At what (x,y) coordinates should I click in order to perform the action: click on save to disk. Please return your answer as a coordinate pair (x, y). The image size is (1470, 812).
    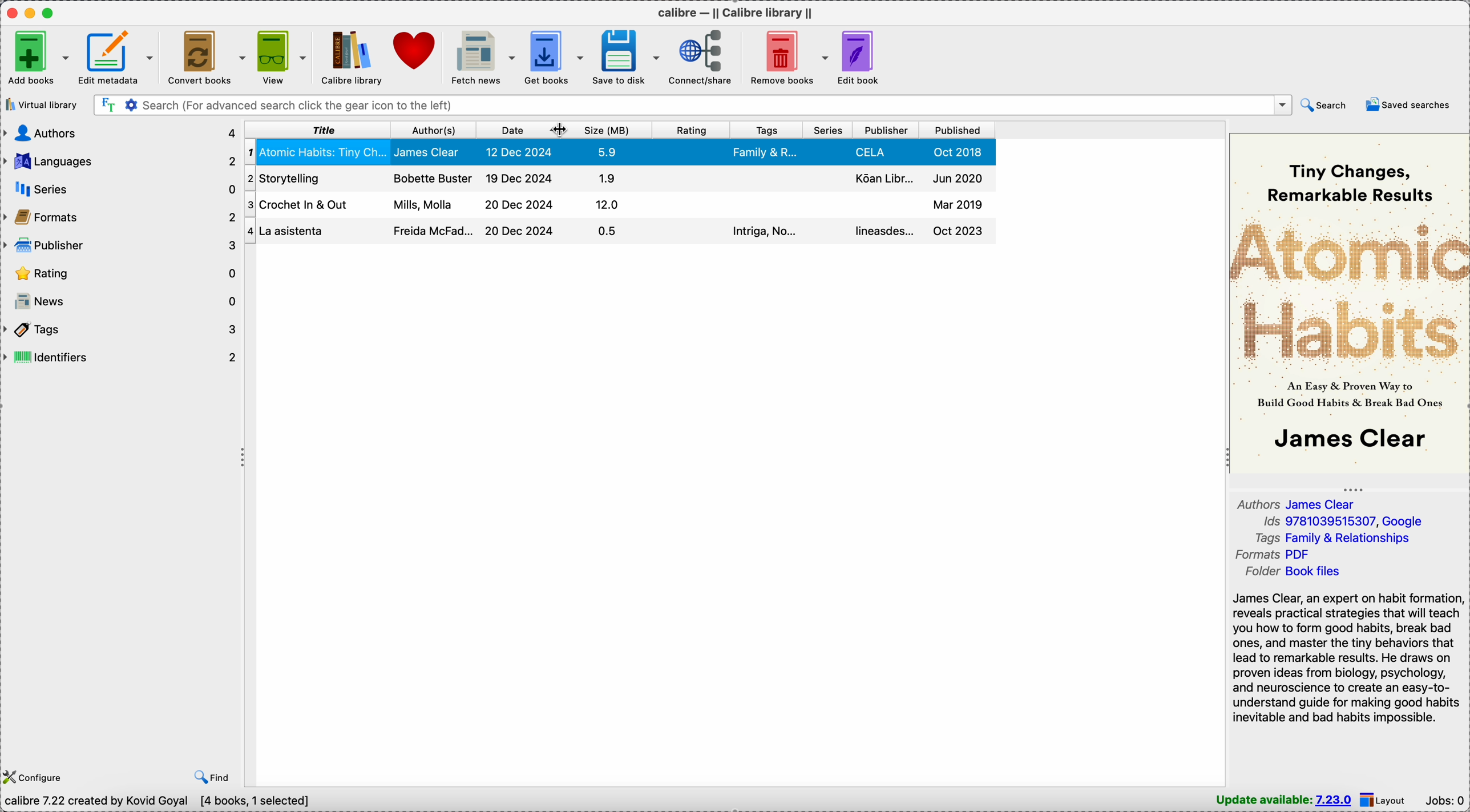
    Looking at the image, I should click on (627, 56).